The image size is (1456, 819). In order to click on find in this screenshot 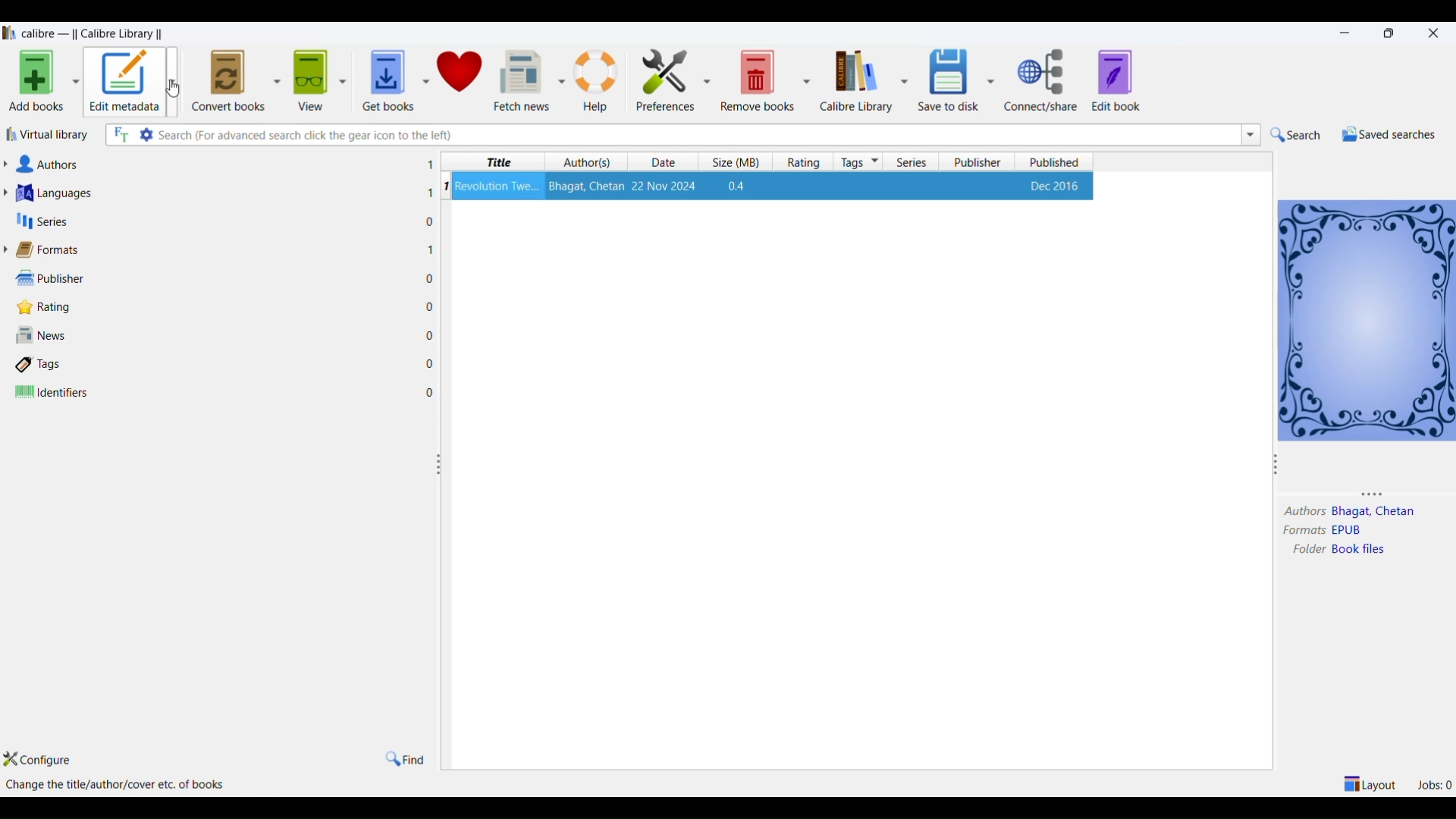, I will do `click(404, 758)`.